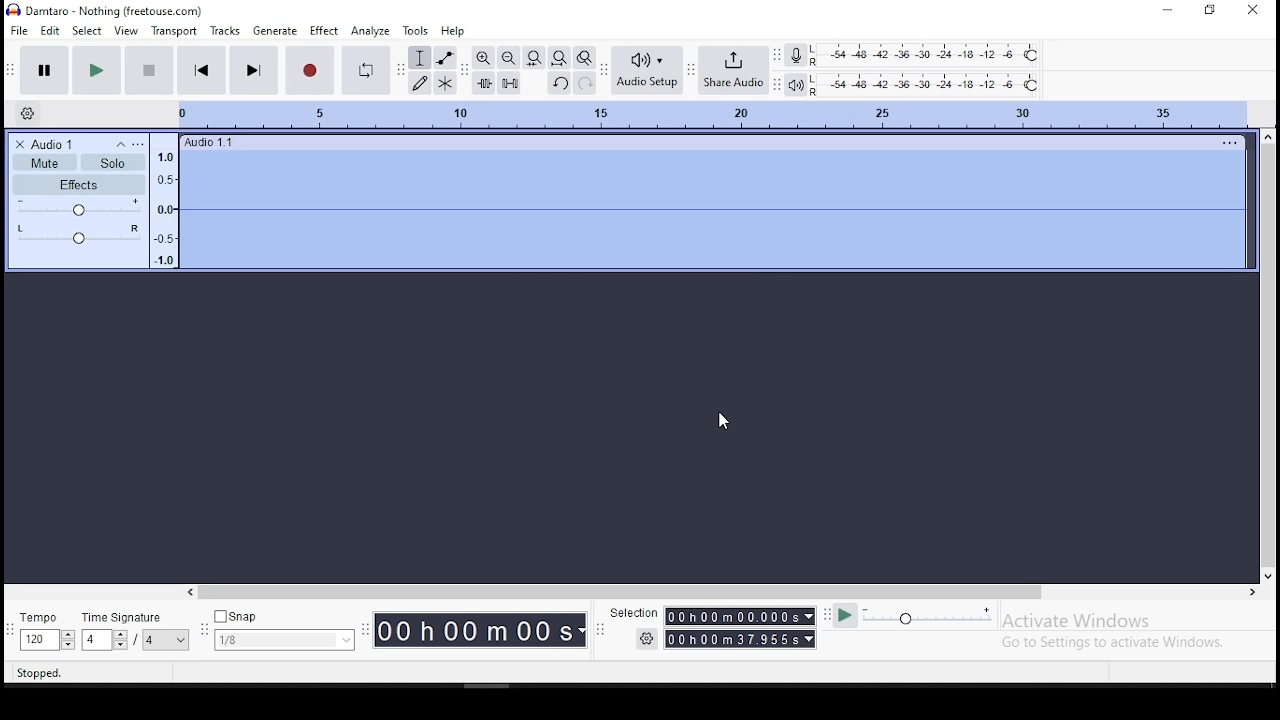  I want to click on trim audio outside selection, so click(483, 83).